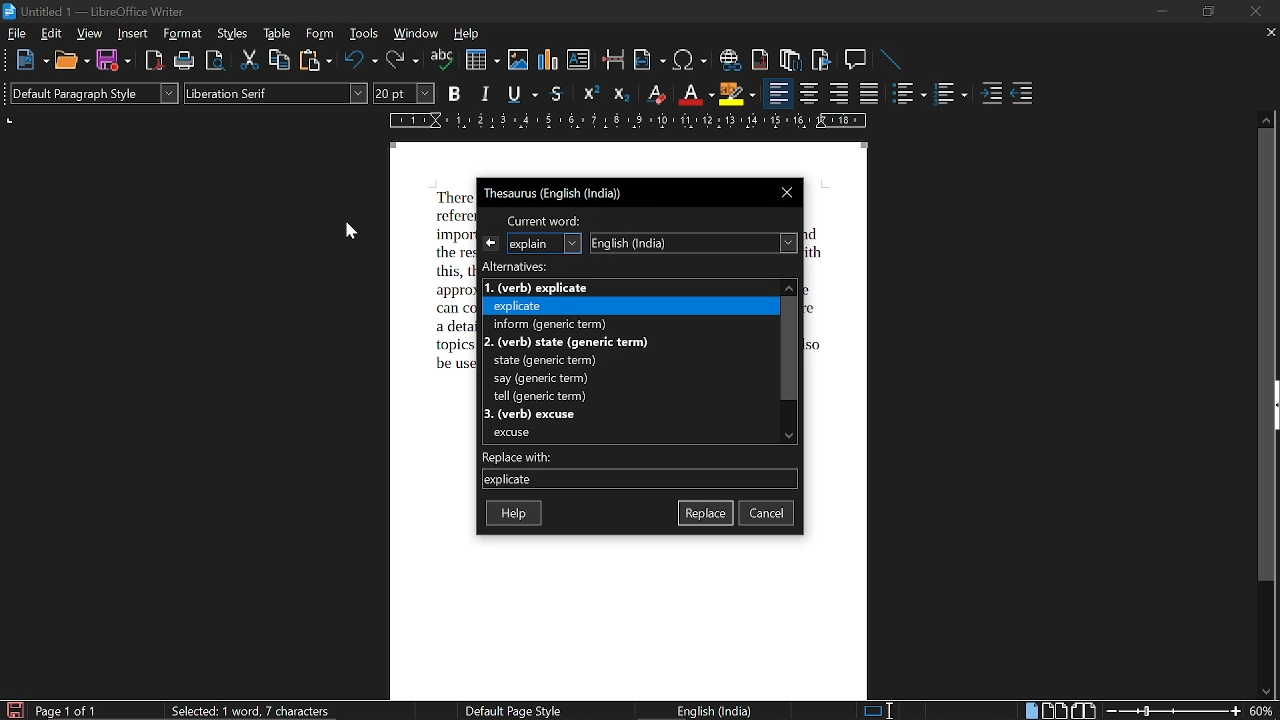 The image size is (1280, 720). What do you see at coordinates (516, 456) in the screenshot?
I see `replace with` at bounding box center [516, 456].